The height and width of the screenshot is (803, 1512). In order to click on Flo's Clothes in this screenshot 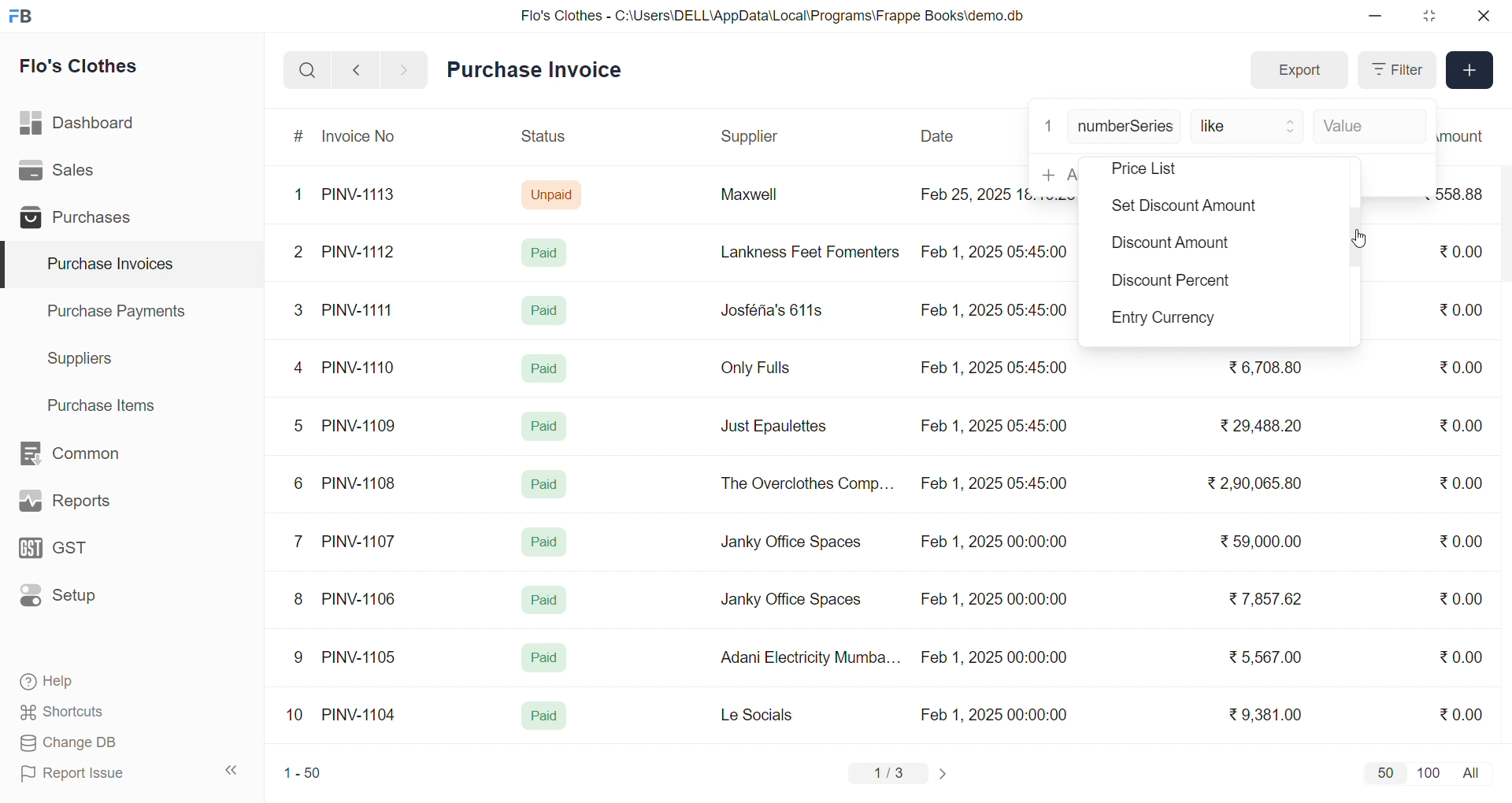, I will do `click(90, 68)`.